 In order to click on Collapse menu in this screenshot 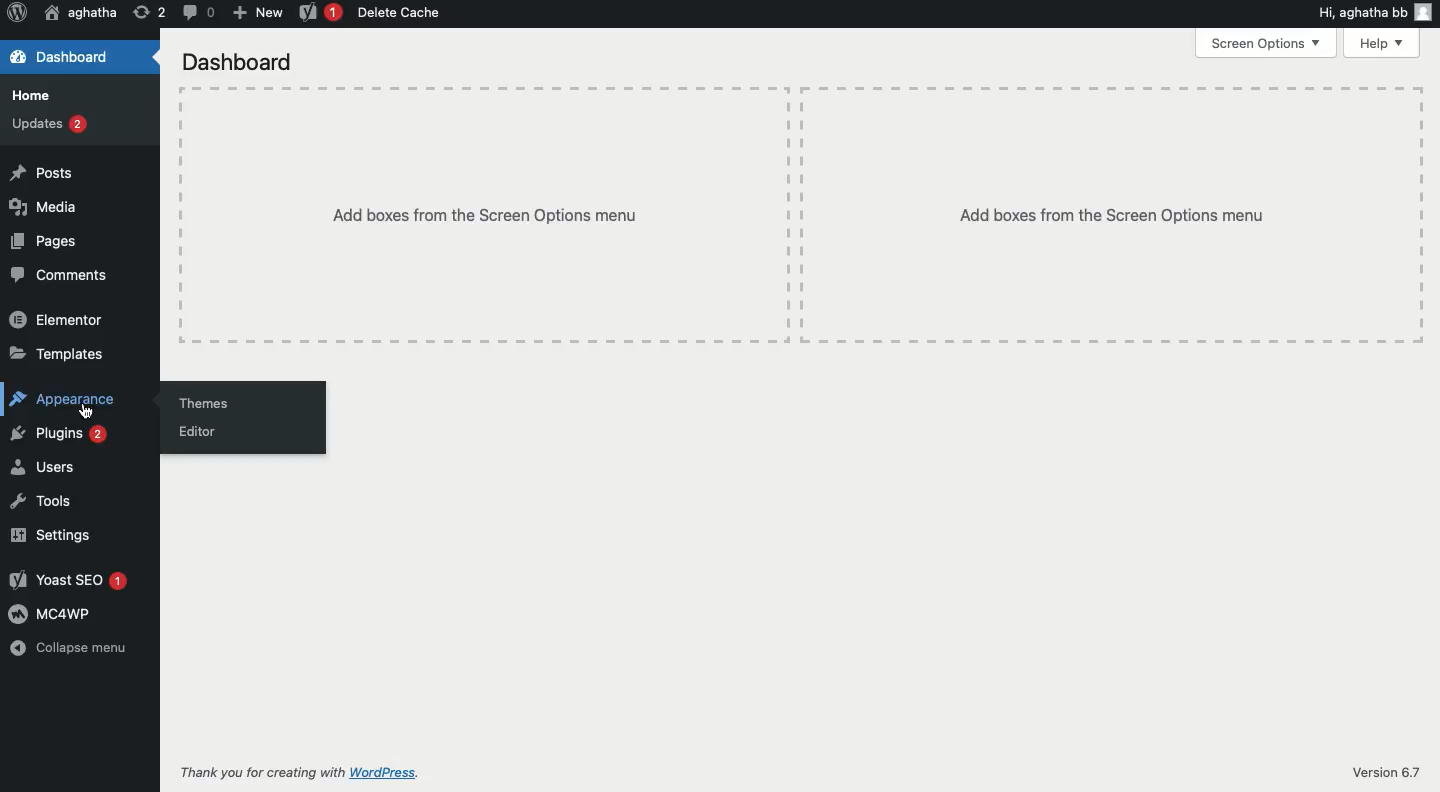, I will do `click(68, 649)`.